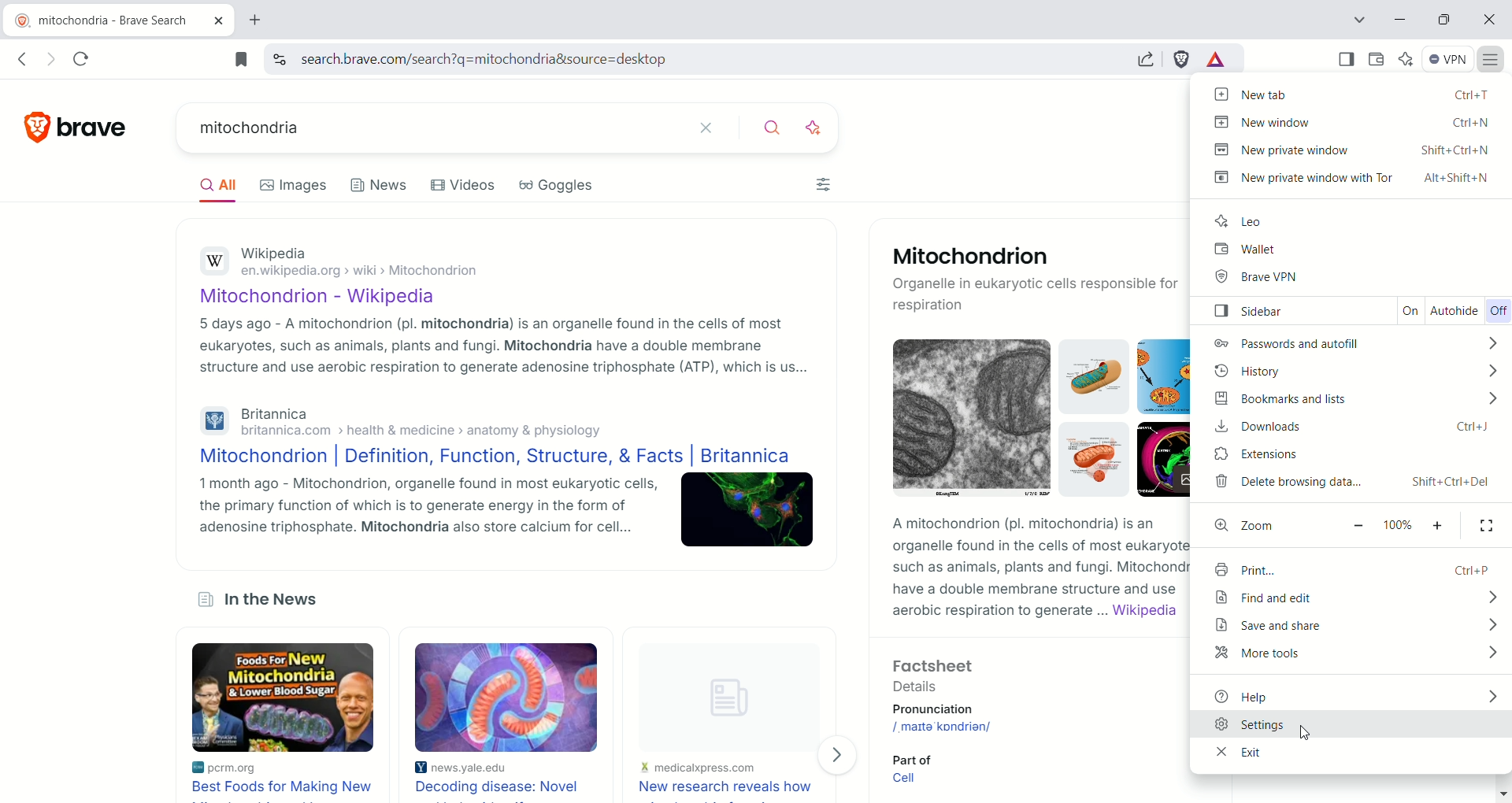  What do you see at coordinates (1444, 527) in the screenshot?
I see `make text larger` at bounding box center [1444, 527].